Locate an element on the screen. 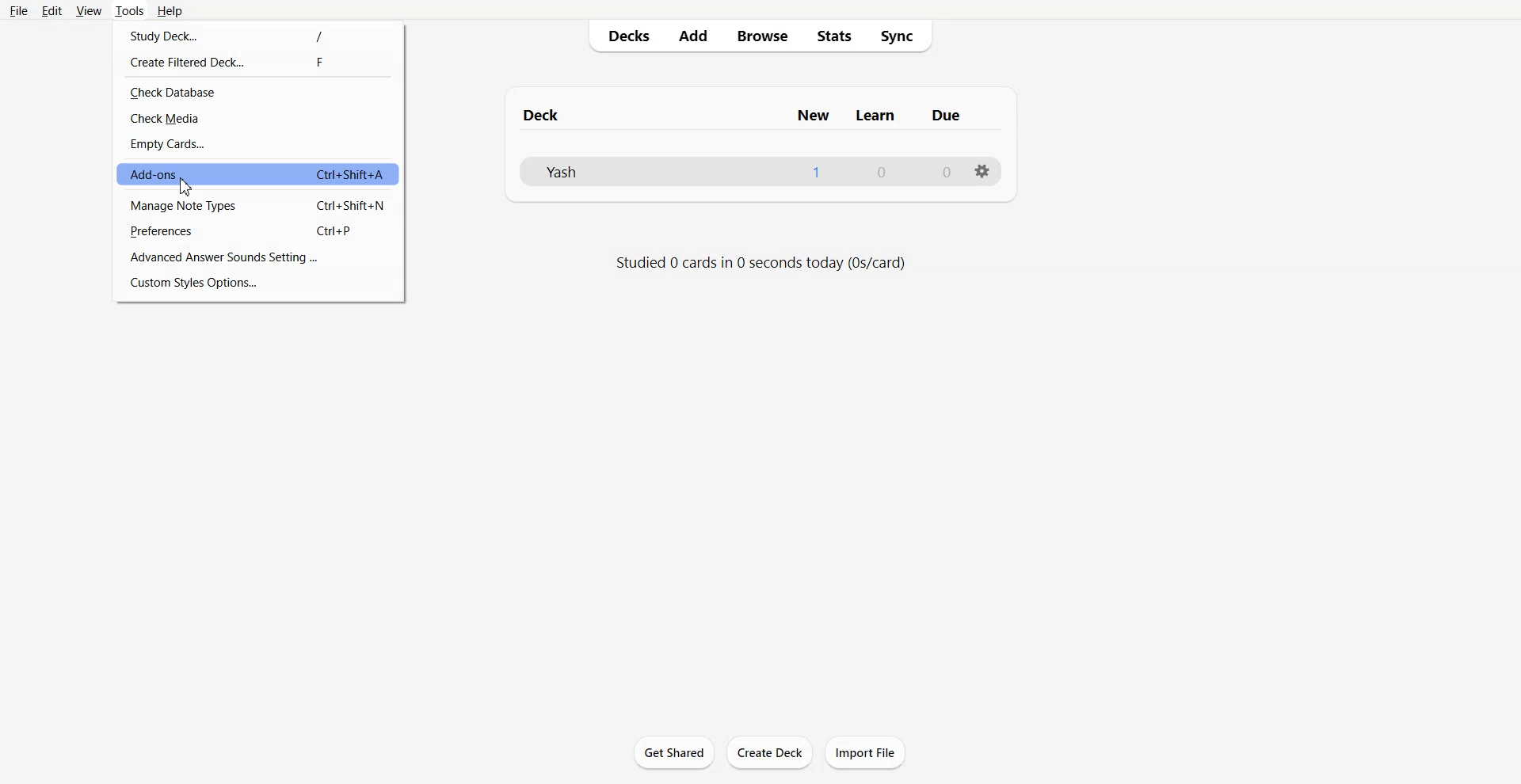  Check Media is located at coordinates (260, 120).